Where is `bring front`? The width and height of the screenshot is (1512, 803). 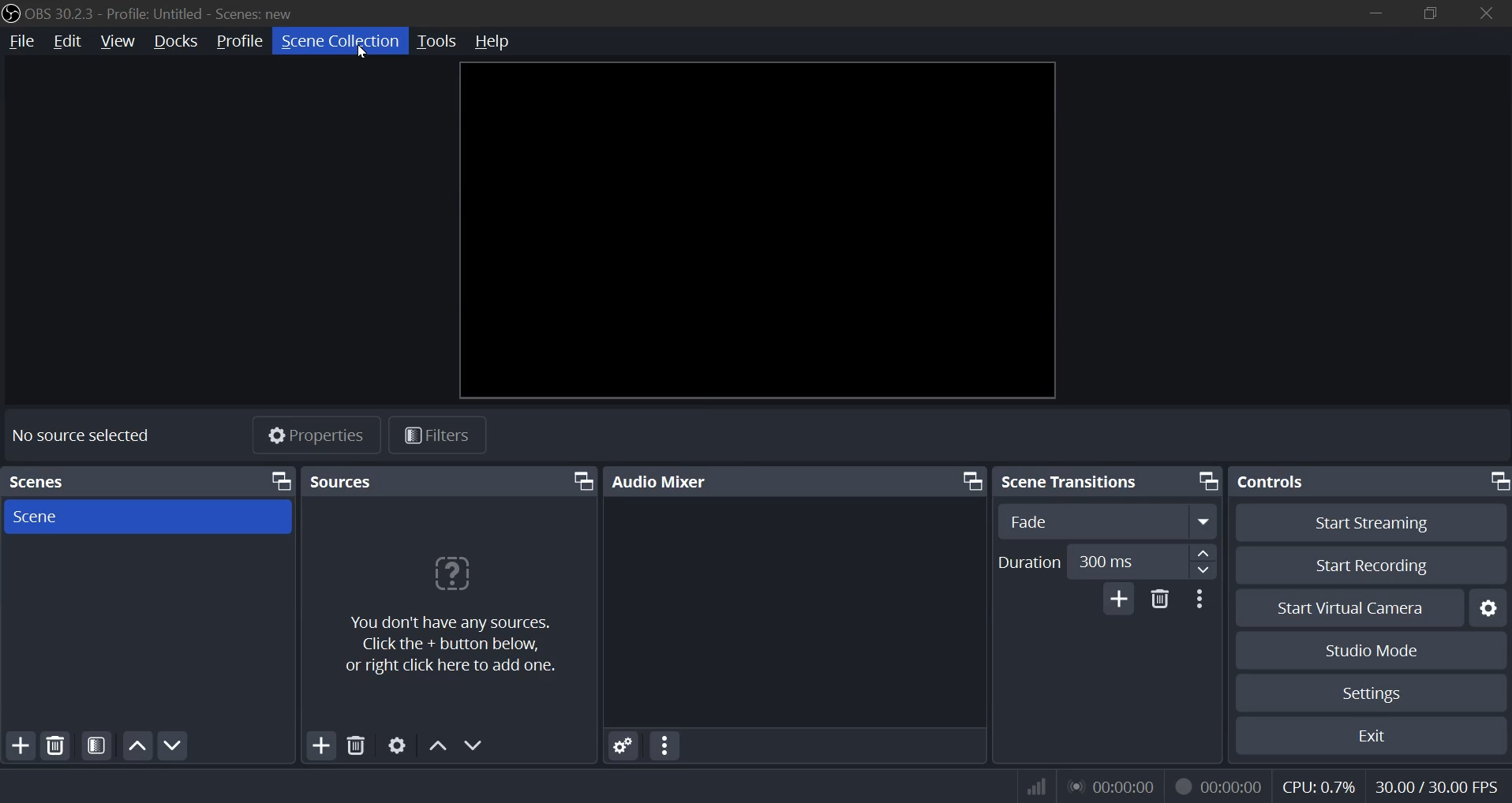
bring front is located at coordinates (970, 480).